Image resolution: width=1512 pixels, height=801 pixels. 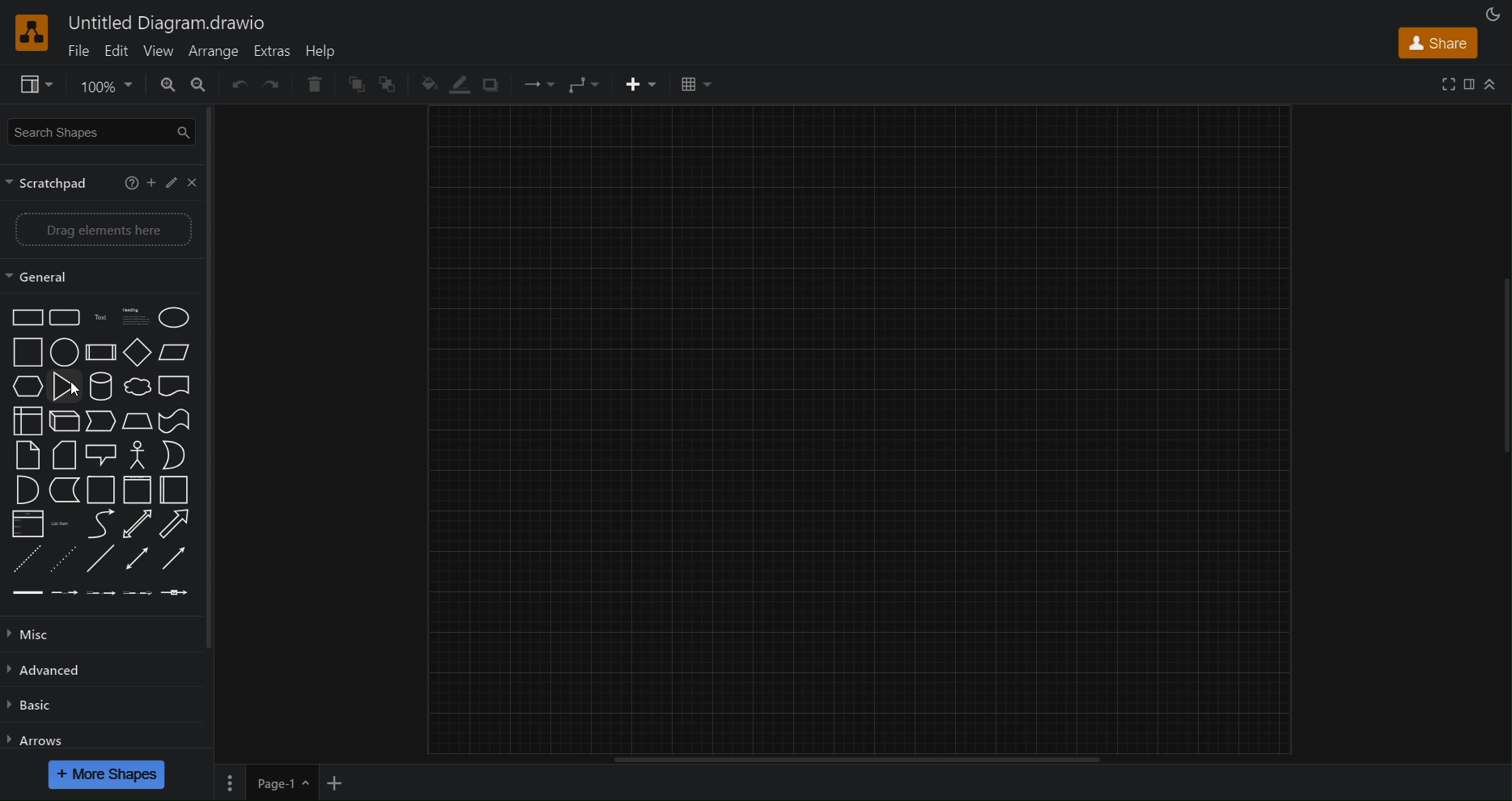 What do you see at coordinates (102, 132) in the screenshot?
I see `Search Shapes` at bounding box center [102, 132].